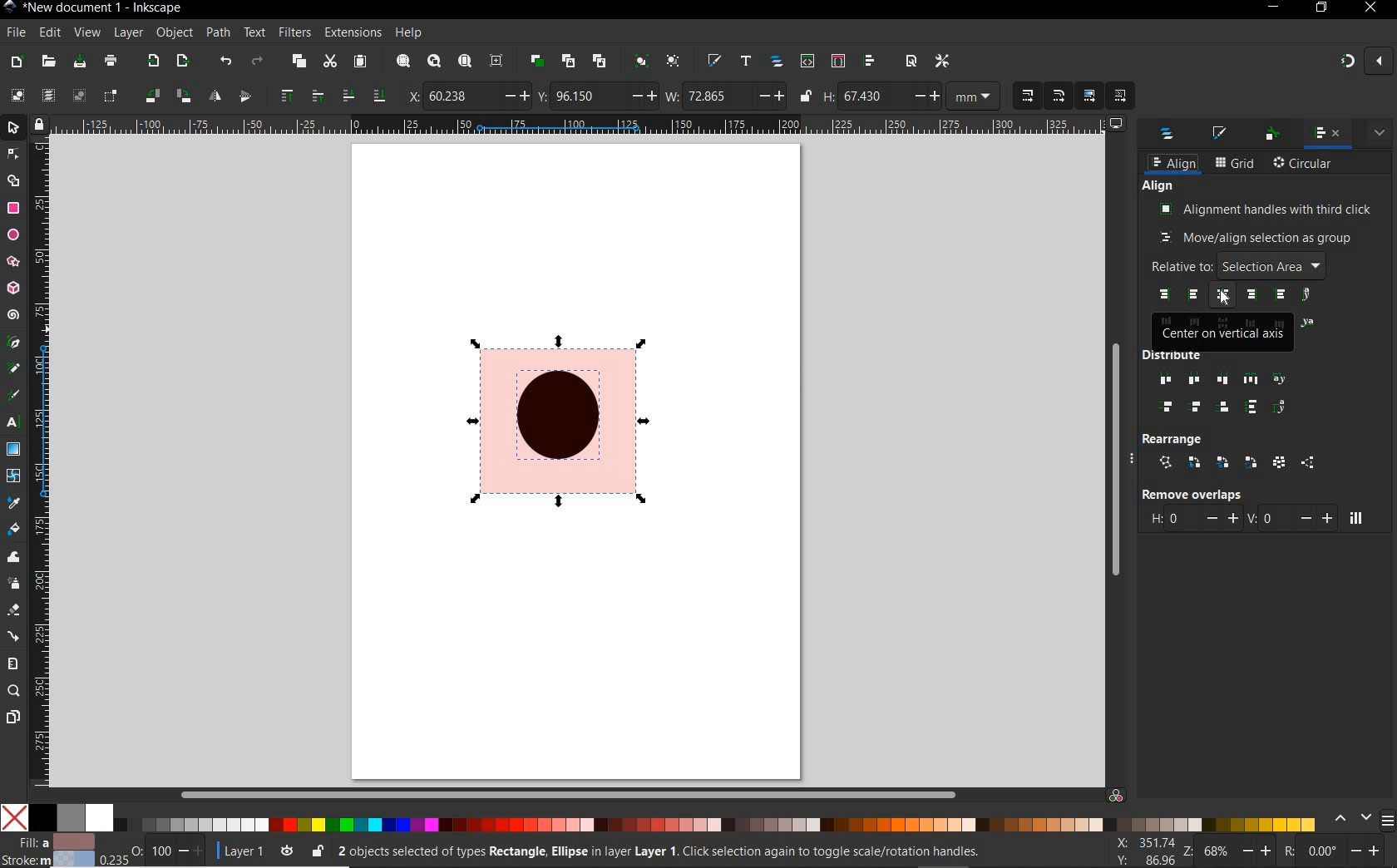  What do you see at coordinates (1280, 378) in the screenshot?
I see `DISTRIBUTE TEXT OBJECTS` at bounding box center [1280, 378].